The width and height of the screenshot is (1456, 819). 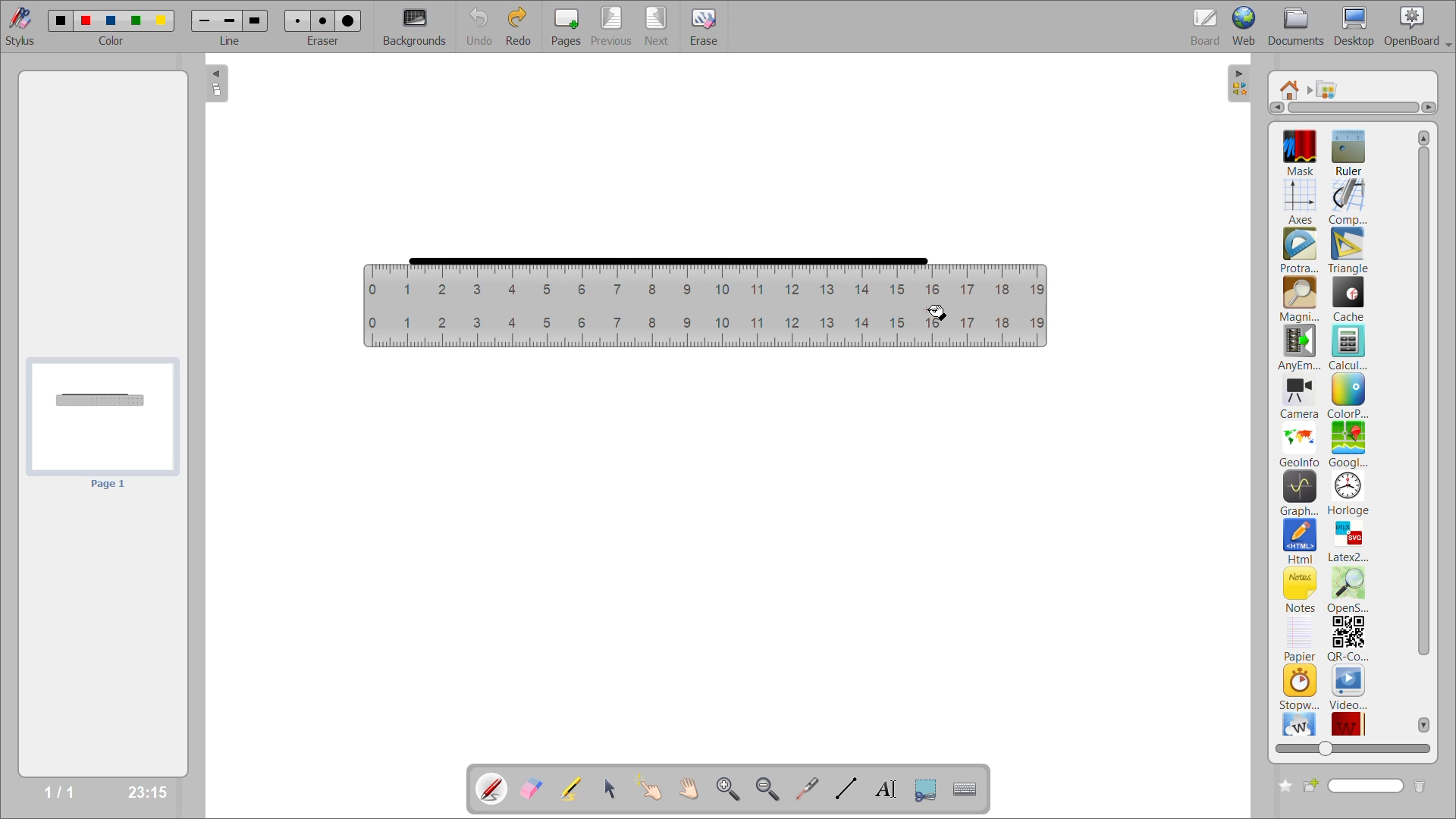 I want to click on color 2, so click(x=86, y=20).